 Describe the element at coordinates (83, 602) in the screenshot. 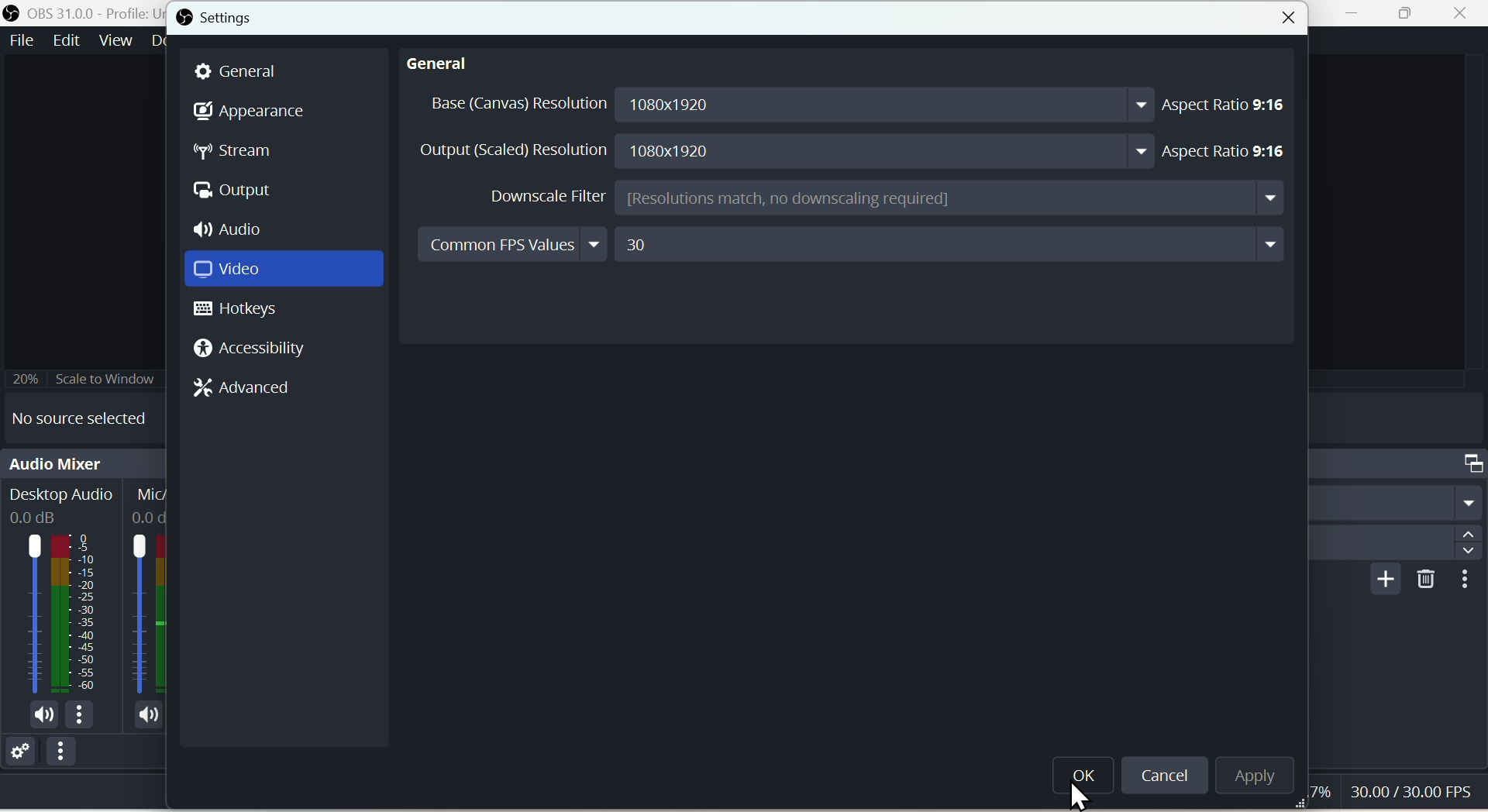

I see `Audio bar` at that location.